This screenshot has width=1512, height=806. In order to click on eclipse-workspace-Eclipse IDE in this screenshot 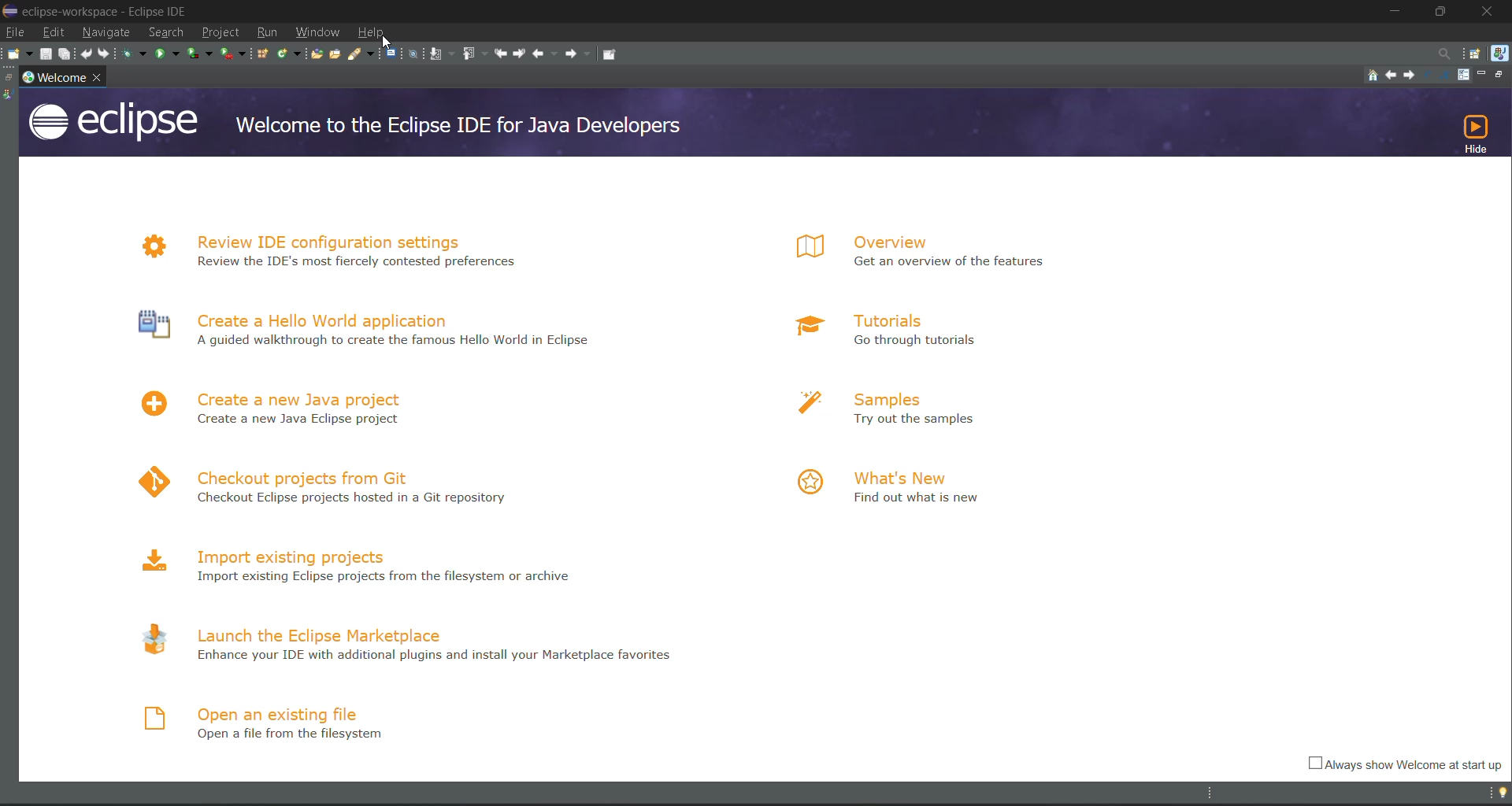, I will do `click(100, 13)`.